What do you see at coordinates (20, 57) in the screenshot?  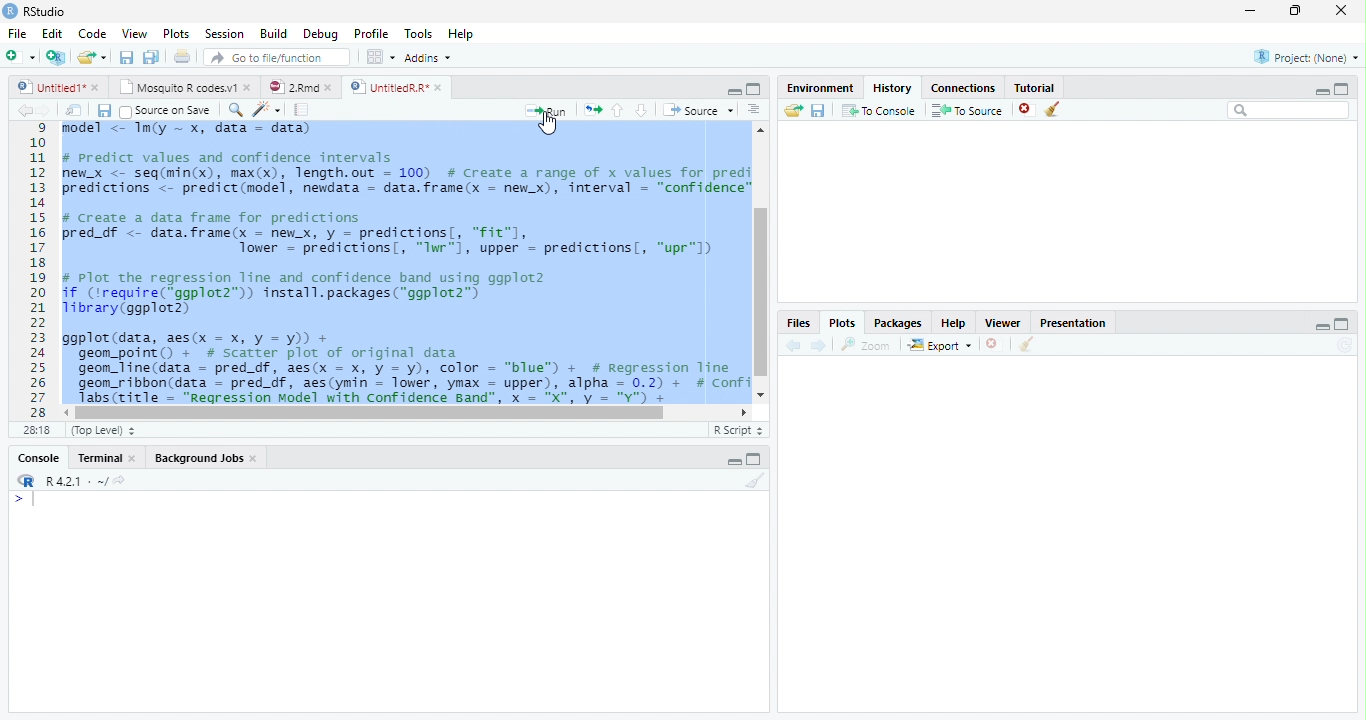 I see `New file` at bounding box center [20, 57].